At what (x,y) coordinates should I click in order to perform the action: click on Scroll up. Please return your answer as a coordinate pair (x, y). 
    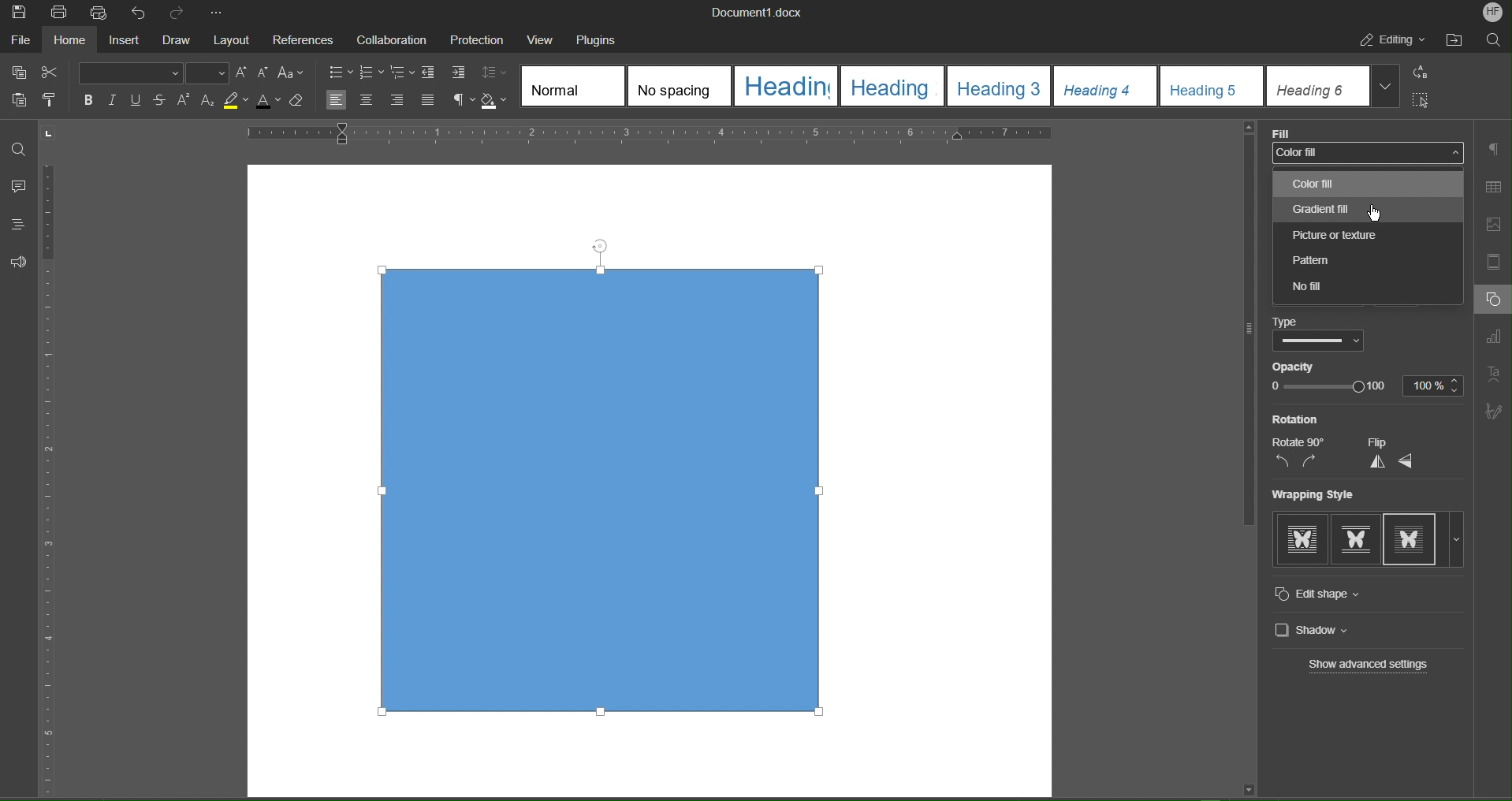
    Looking at the image, I should click on (1247, 129).